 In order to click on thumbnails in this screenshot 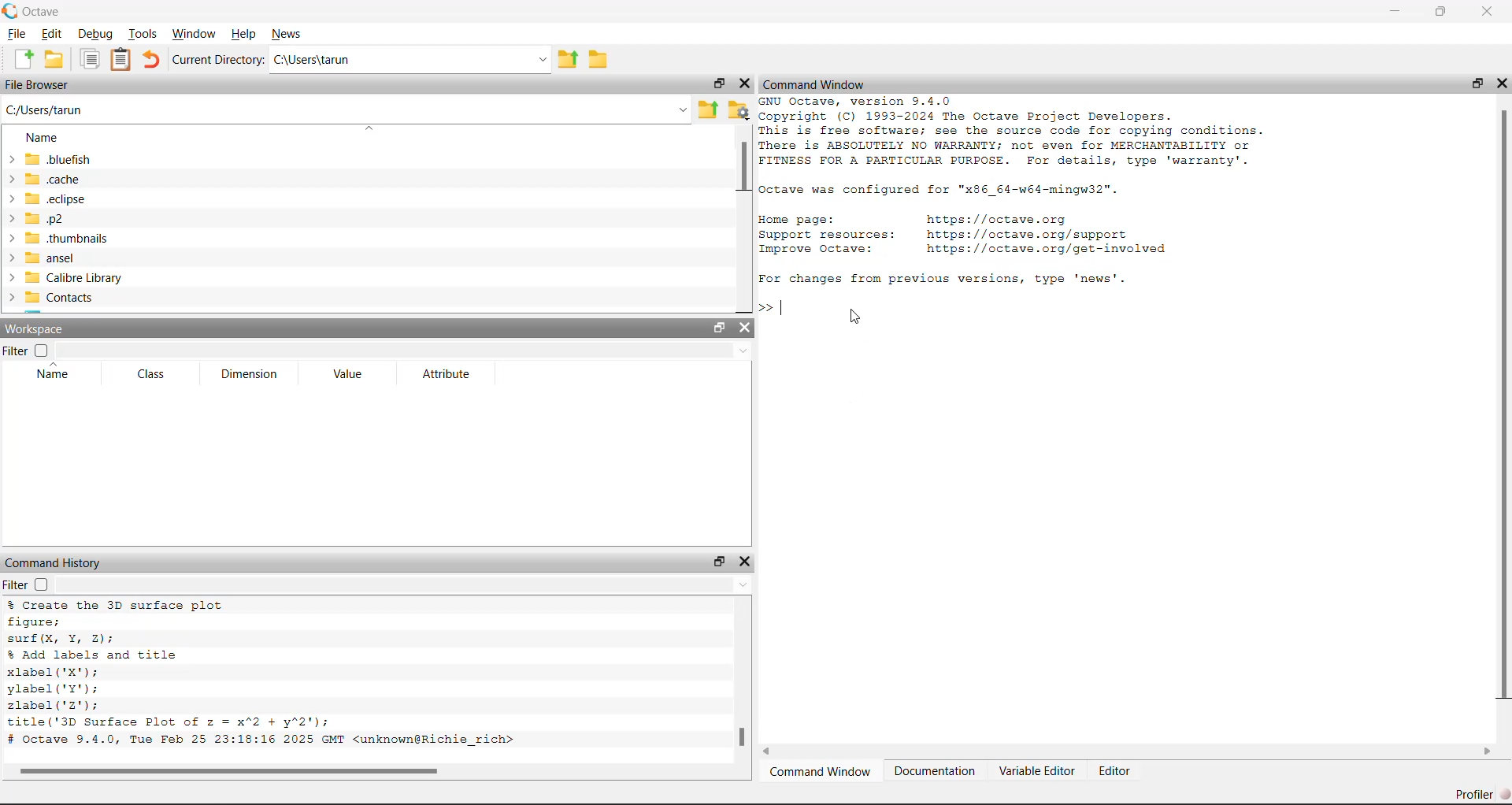, I will do `click(57, 239)`.